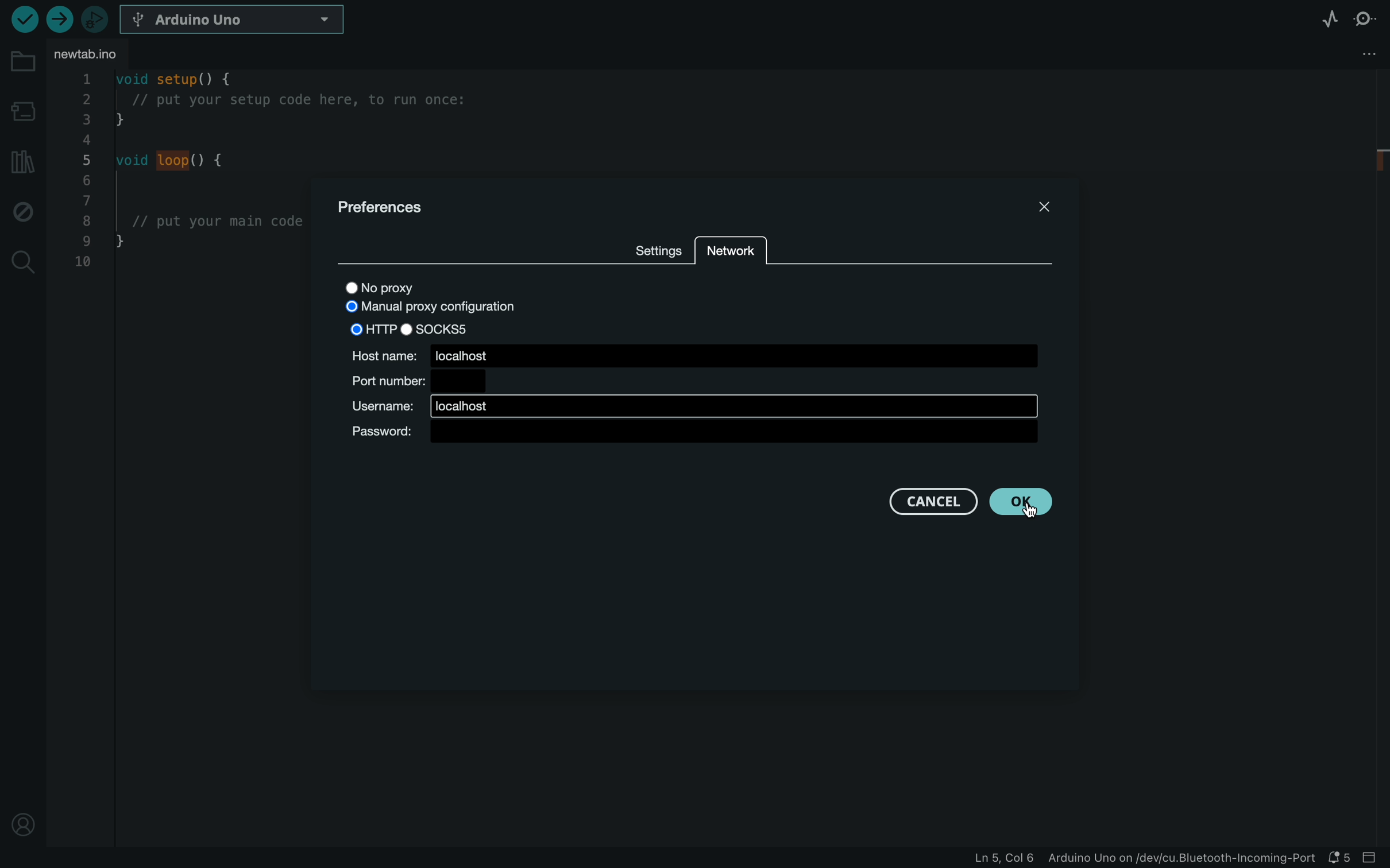 Image resolution: width=1390 pixels, height=868 pixels. I want to click on profile, so click(18, 819).